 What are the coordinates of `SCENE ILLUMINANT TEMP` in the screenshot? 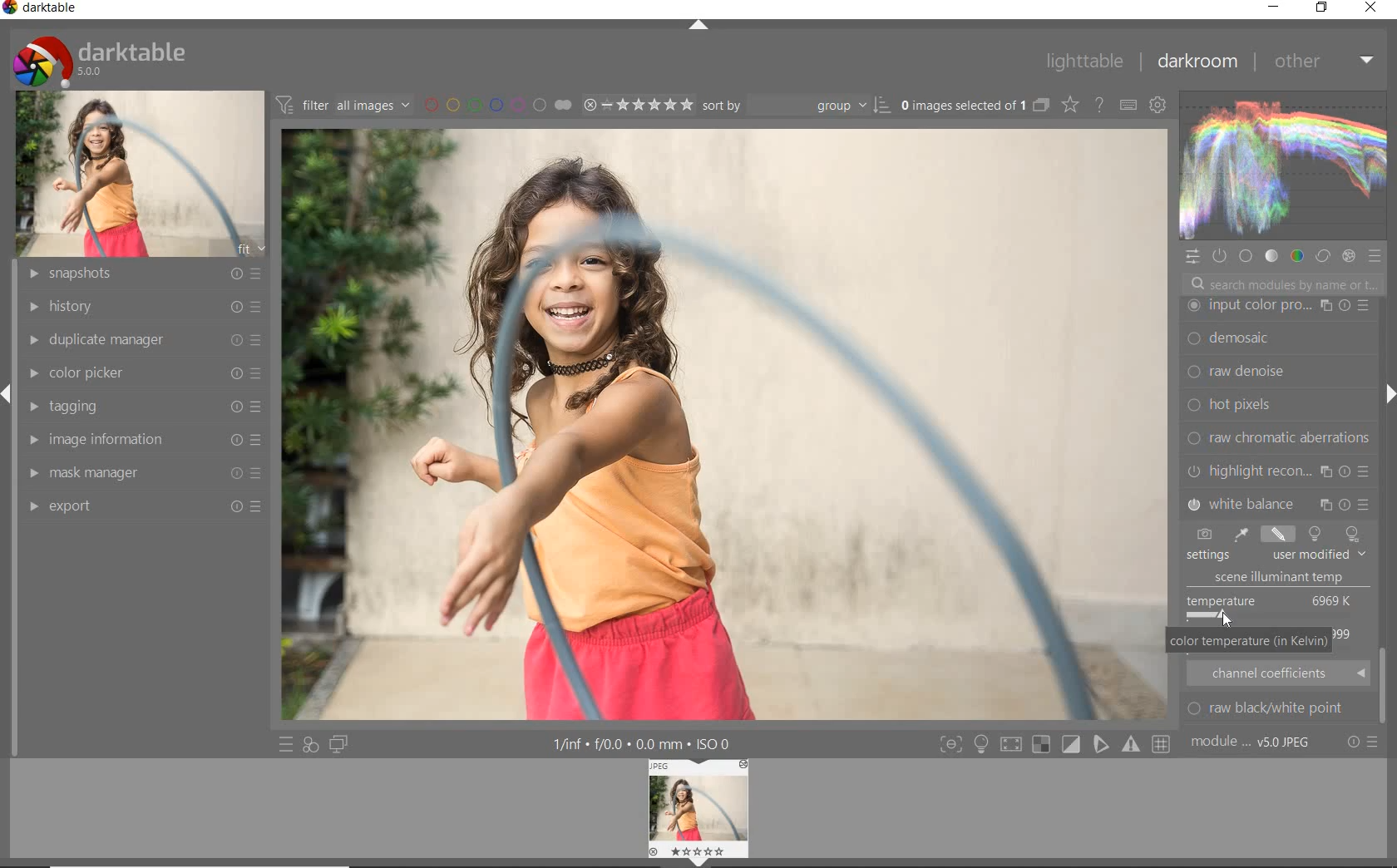 It's located at (1286, 578).